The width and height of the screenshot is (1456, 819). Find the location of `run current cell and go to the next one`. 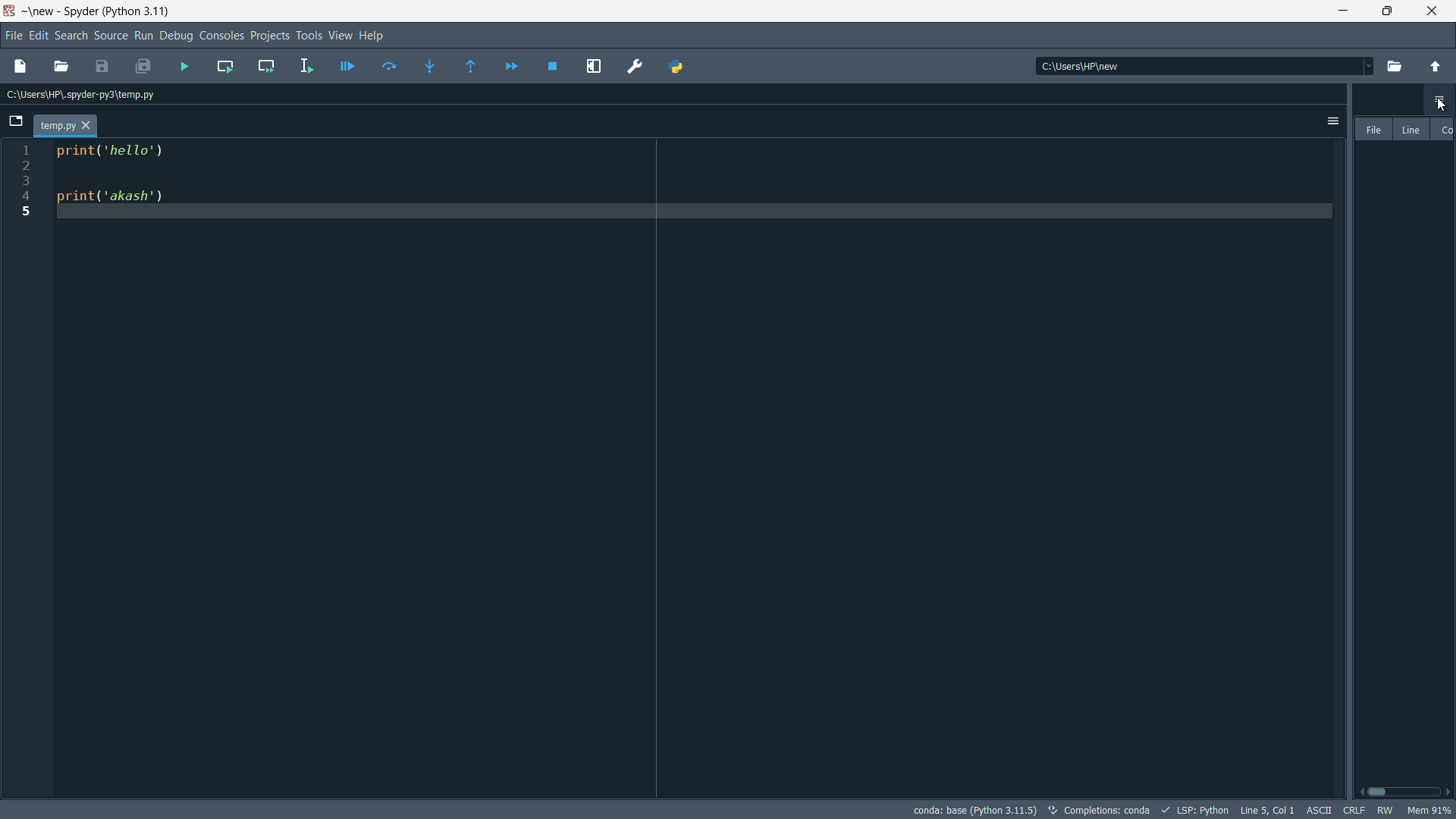

run current cell and go to the next one is located at coordinates (262, 65).